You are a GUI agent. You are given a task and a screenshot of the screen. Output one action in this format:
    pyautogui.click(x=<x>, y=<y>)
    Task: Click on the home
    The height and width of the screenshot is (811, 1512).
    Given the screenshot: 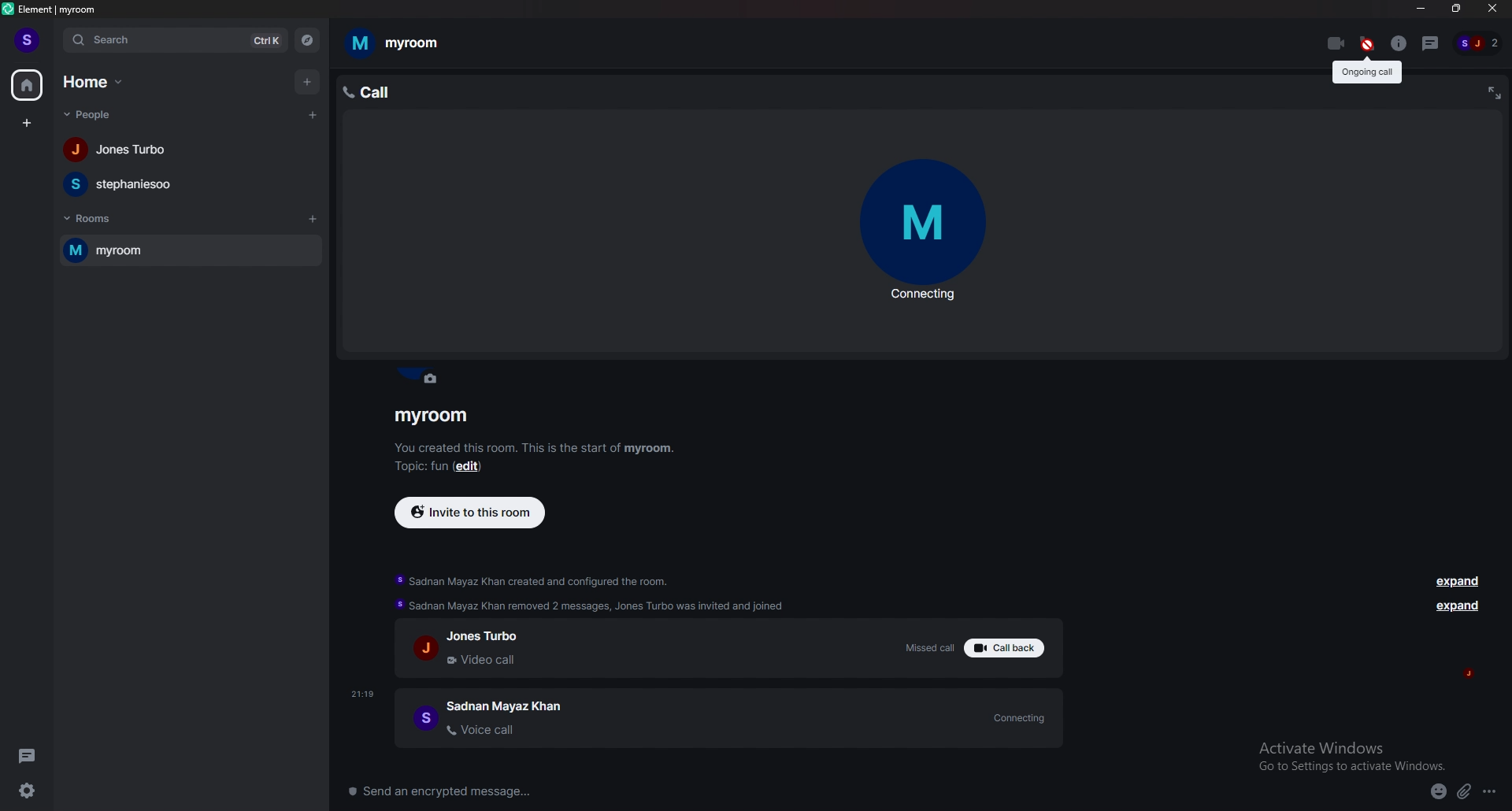 What is the action you would take?
    pyautogui.click(x=28, y=83)
    